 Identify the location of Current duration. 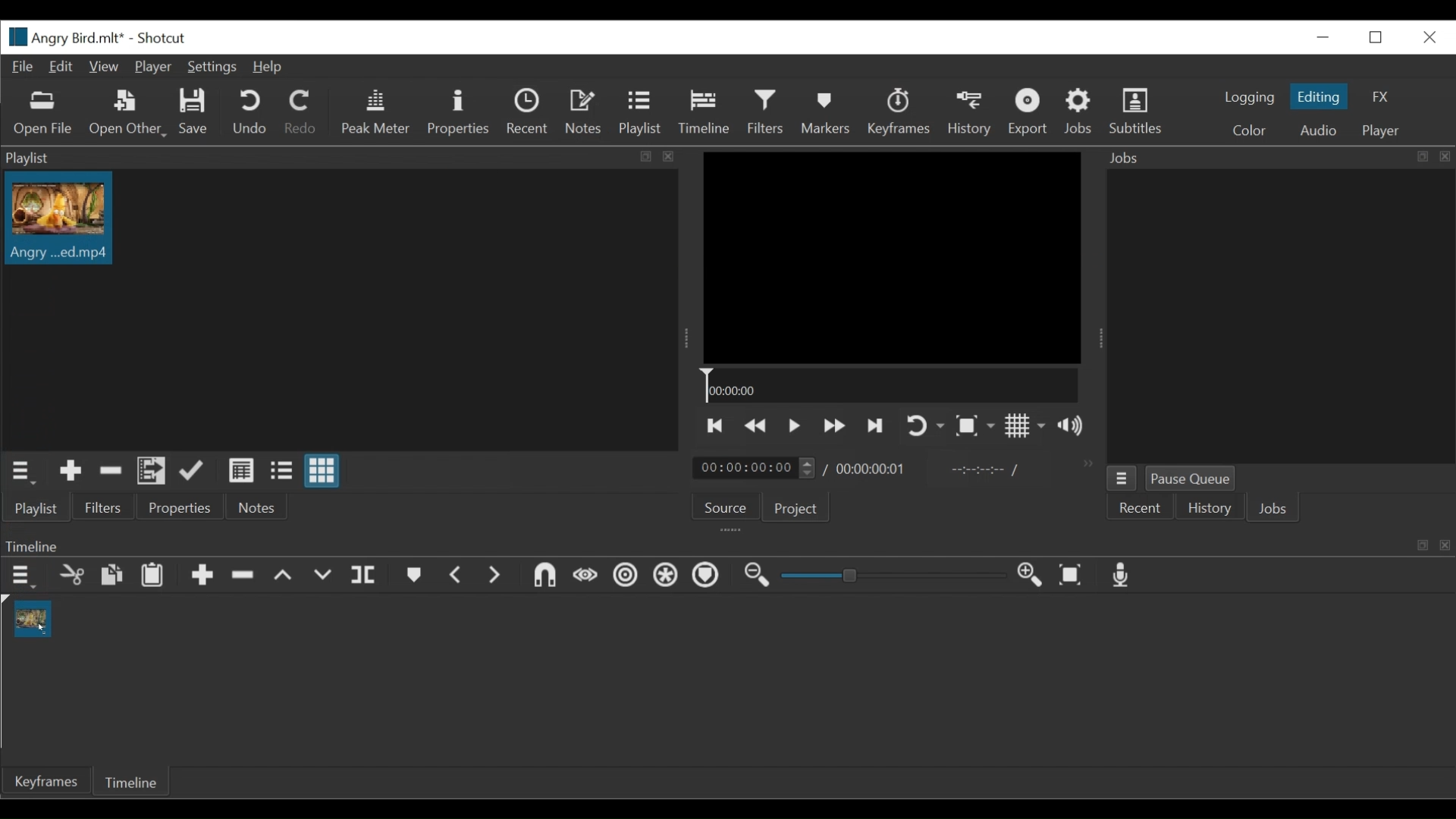
(753, 468).